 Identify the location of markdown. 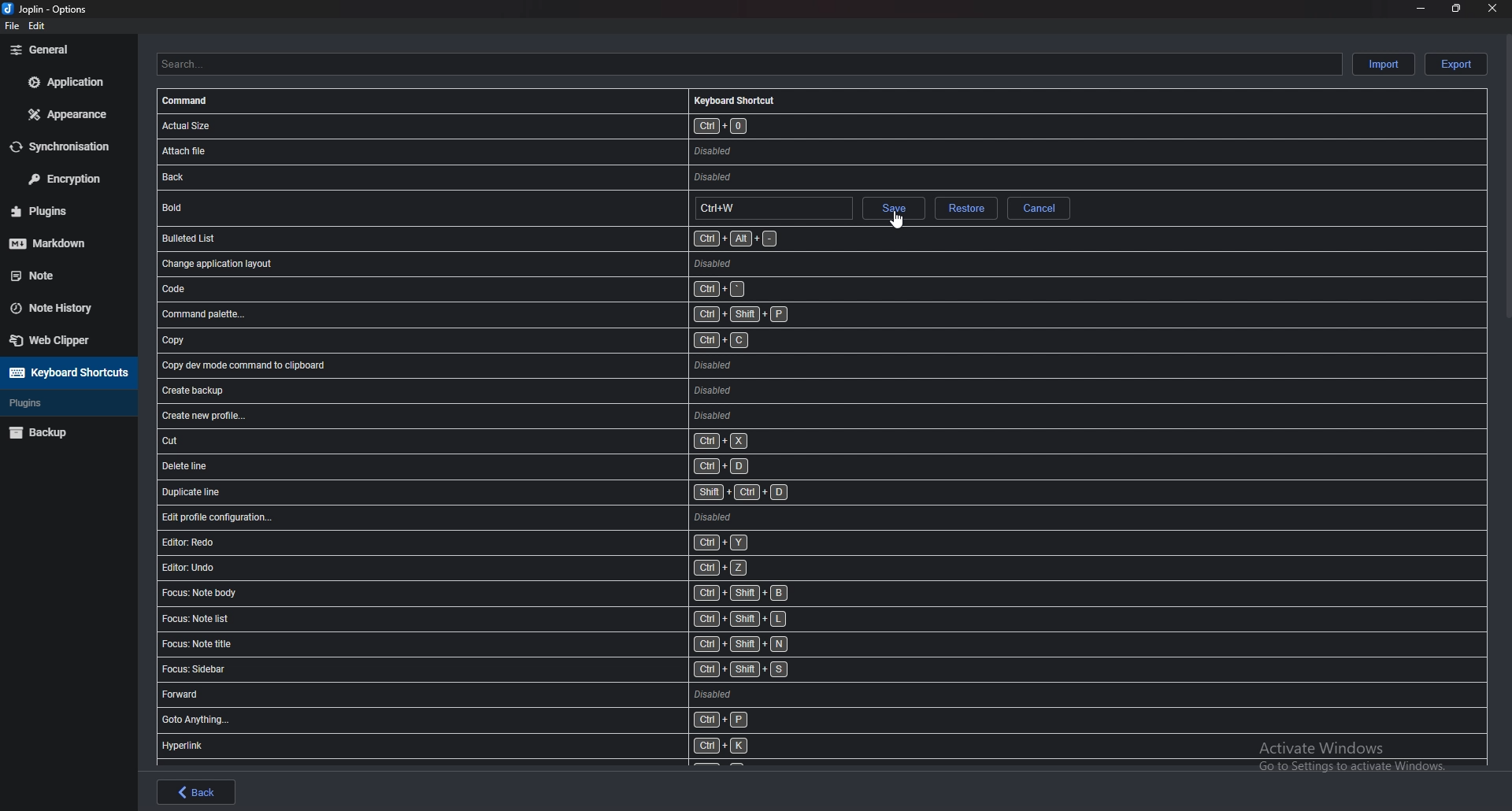
(61, 243).